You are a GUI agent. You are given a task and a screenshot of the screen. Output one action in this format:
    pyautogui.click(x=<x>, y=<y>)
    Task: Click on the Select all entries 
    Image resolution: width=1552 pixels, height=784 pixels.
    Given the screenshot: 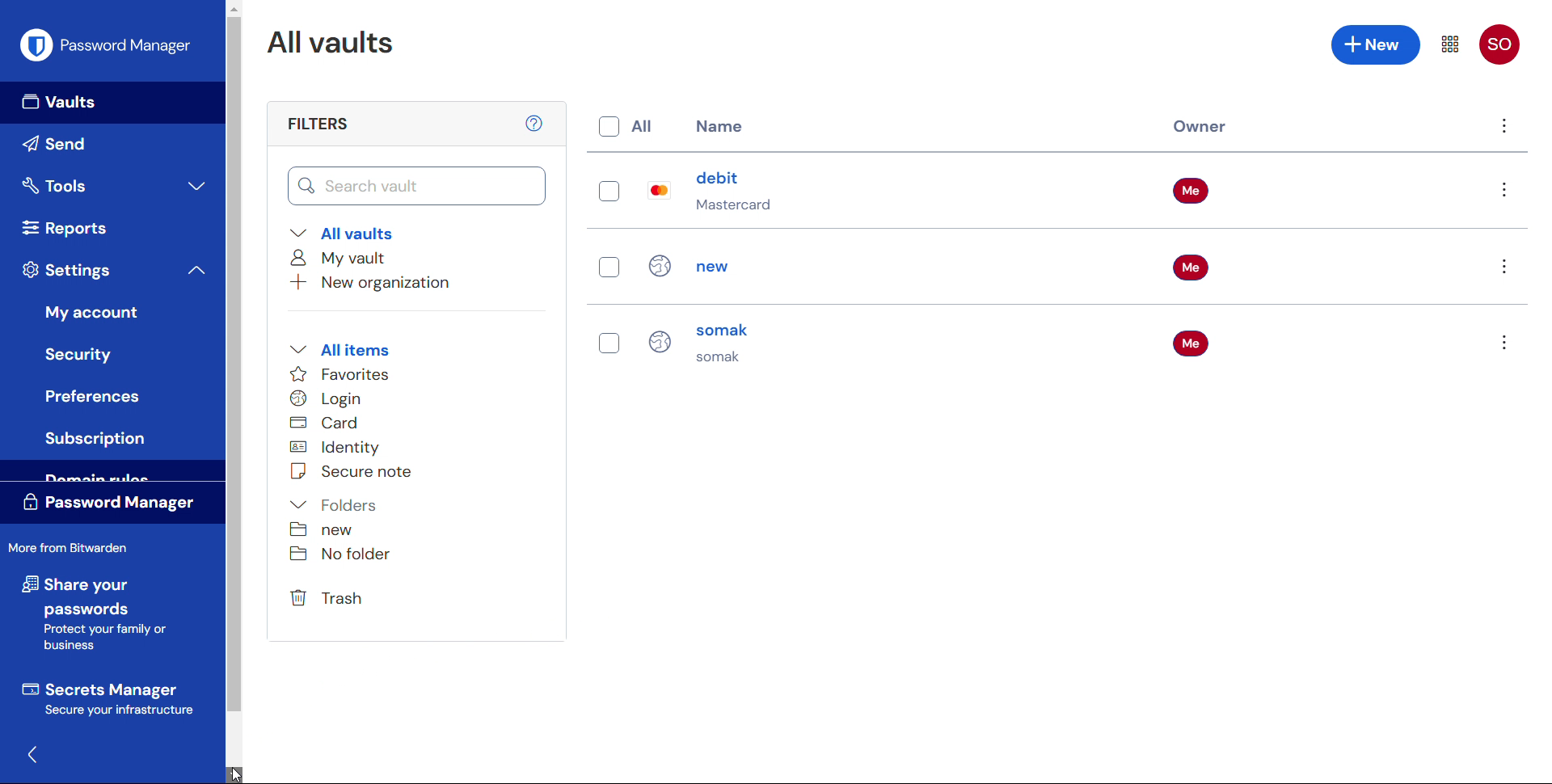 What is the action you would take?
    pyautogui.click(x=624, y=126)
    